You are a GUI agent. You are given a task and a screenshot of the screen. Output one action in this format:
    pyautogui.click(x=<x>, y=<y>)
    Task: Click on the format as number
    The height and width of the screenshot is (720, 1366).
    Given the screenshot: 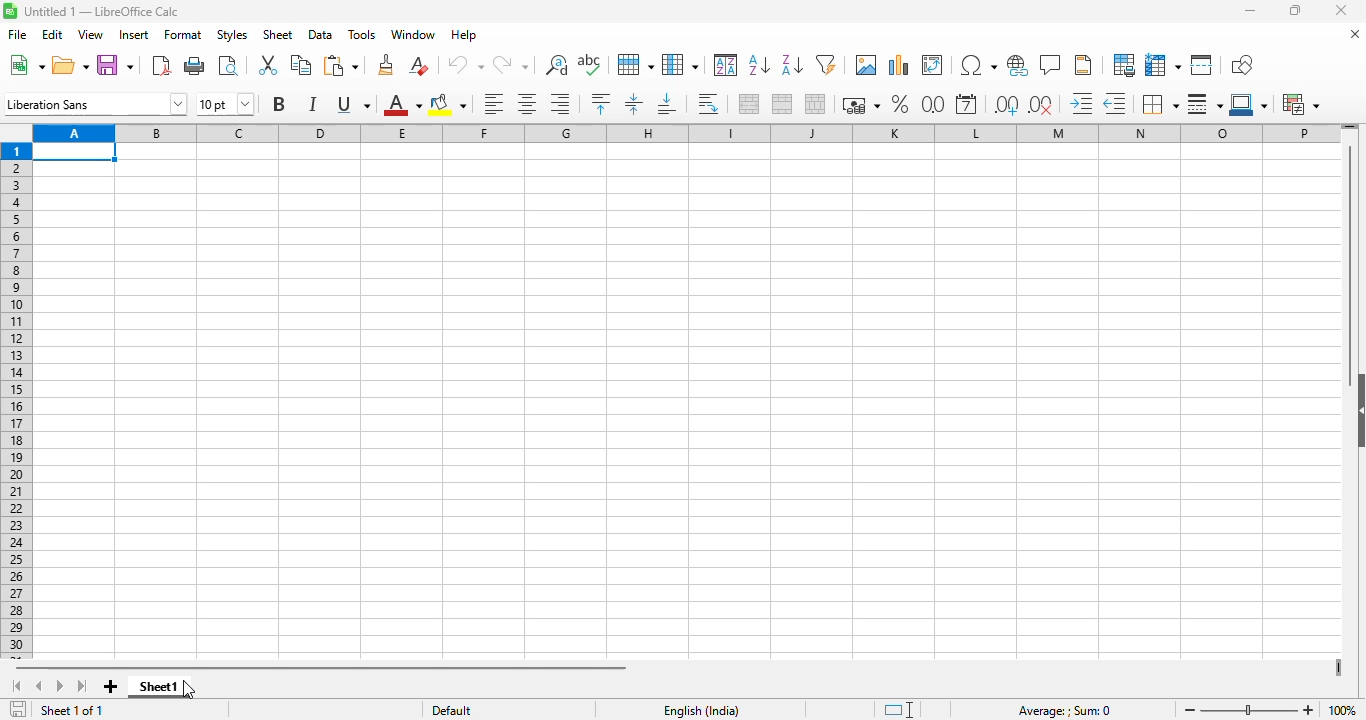 What is the action you would take?
    pyautogui.click(x=934, y=103)
    